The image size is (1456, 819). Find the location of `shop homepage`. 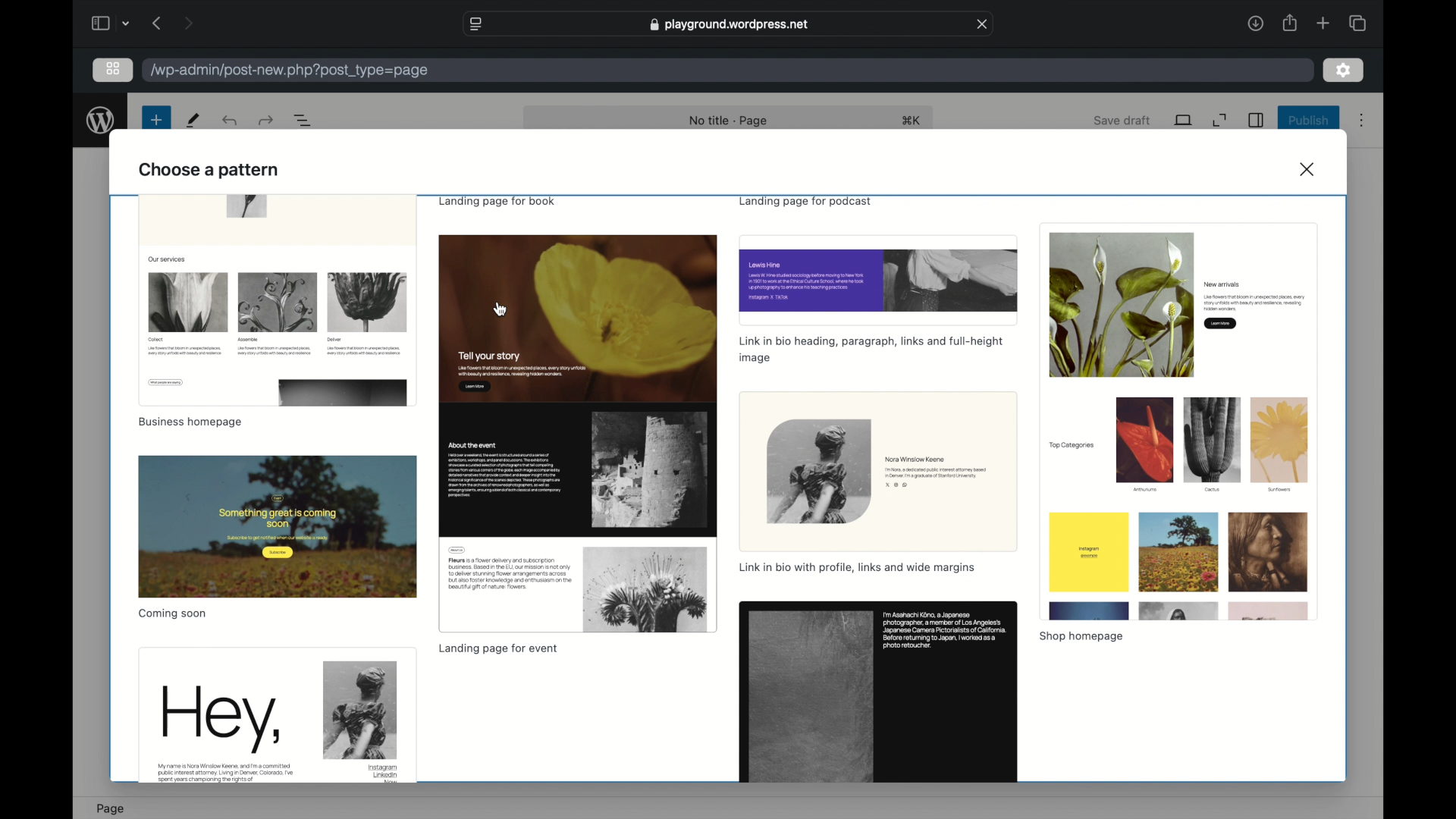

shop homepage is located at coordinates (1081, 638).